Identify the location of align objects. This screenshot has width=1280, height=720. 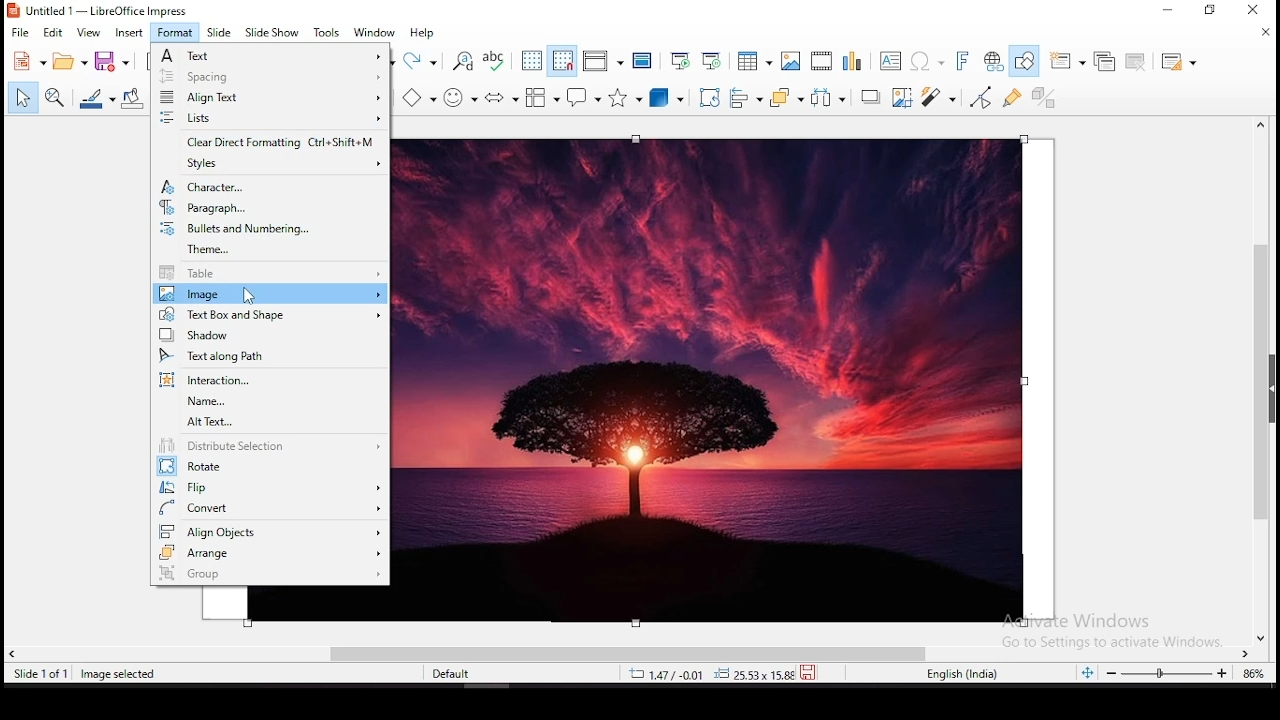
(270, 530).